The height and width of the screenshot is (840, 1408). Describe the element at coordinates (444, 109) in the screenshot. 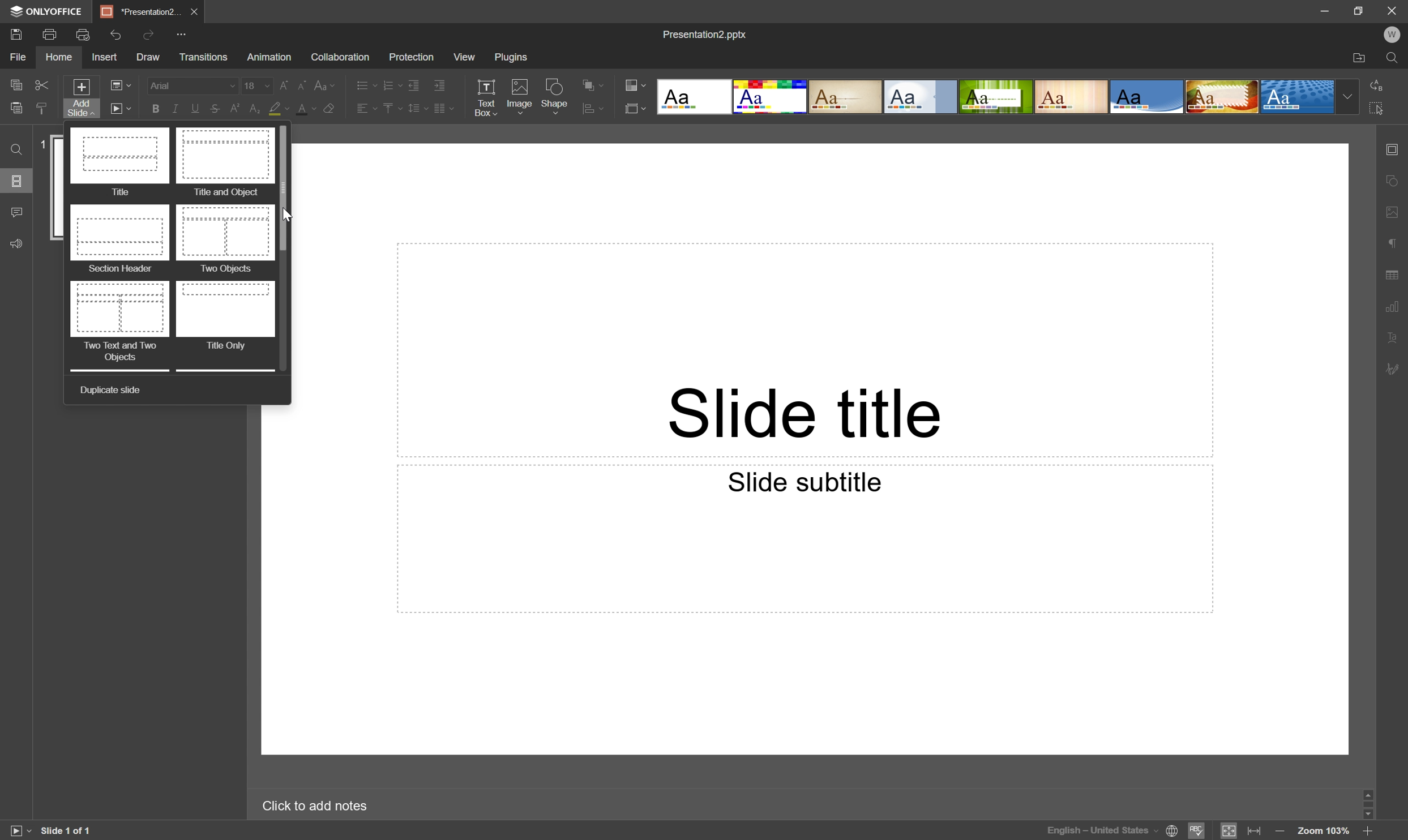

I see `Insert columns` at that location.